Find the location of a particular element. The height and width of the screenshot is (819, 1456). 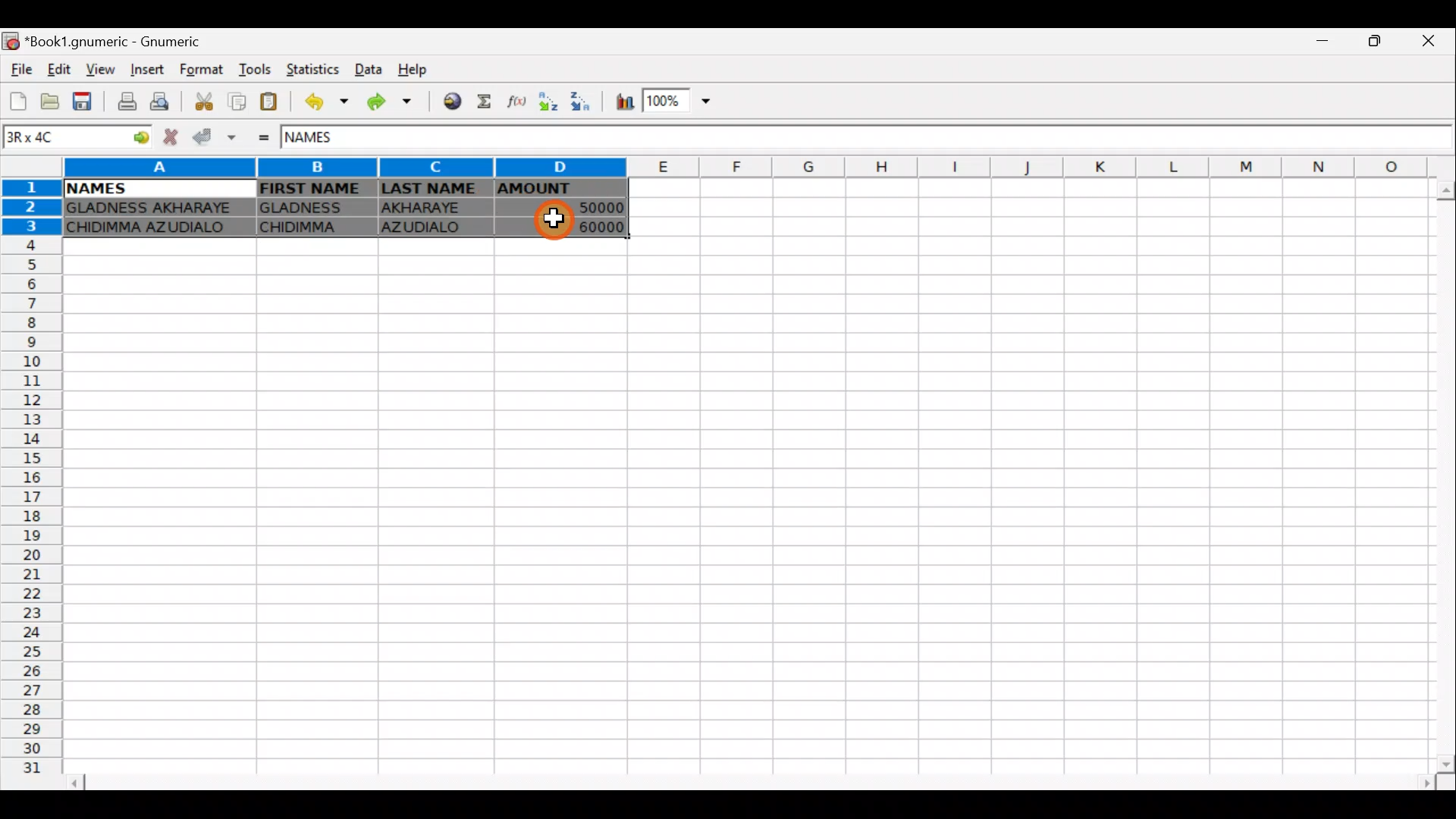

Copy selection is located at coordinates (237, 102).